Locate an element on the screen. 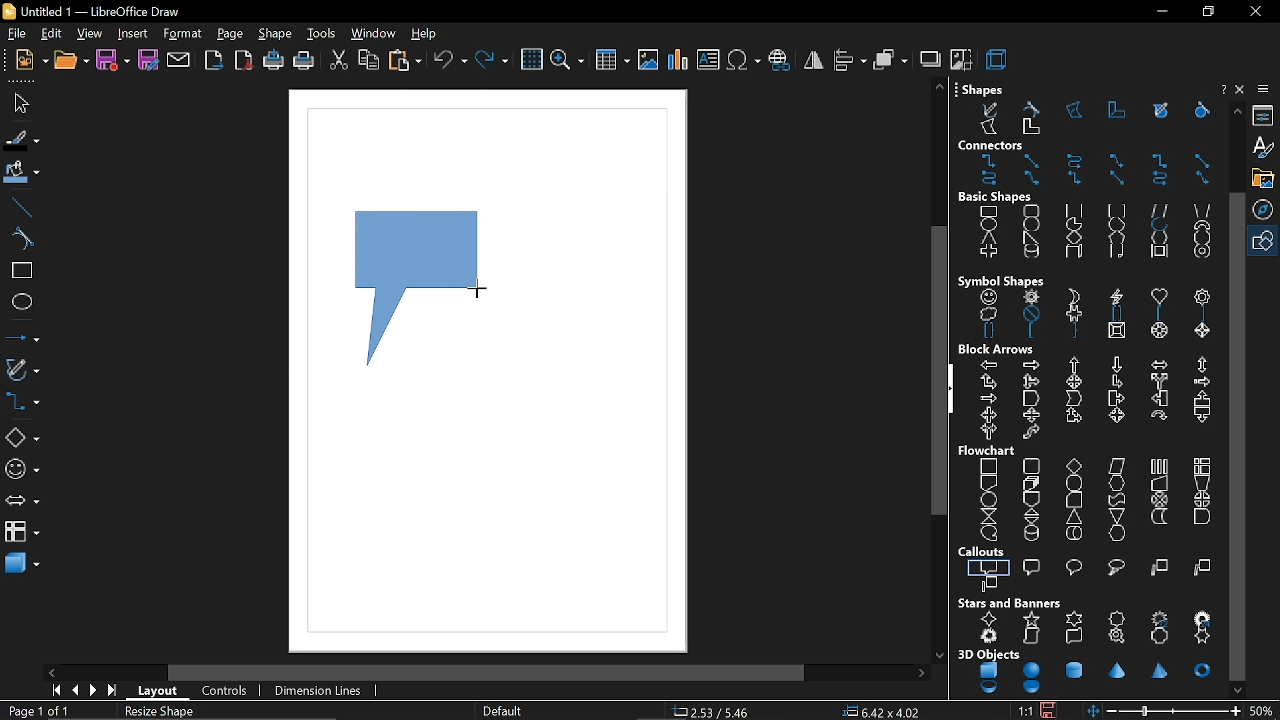  up arrow is located at coordinates (1076, 365).